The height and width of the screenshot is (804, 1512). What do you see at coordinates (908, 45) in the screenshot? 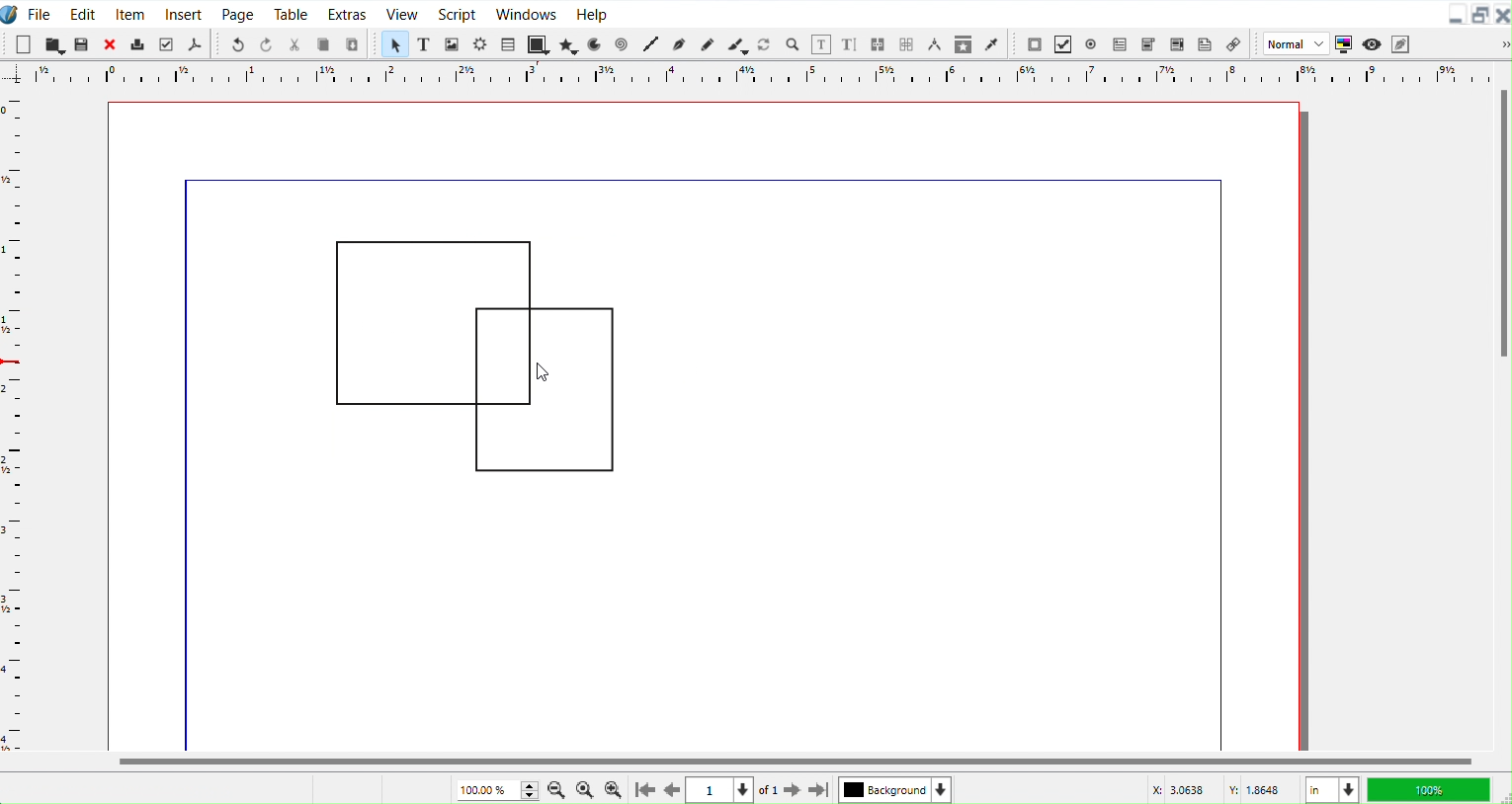
I see `Unlink frame work` at bounding box center [908, 45].